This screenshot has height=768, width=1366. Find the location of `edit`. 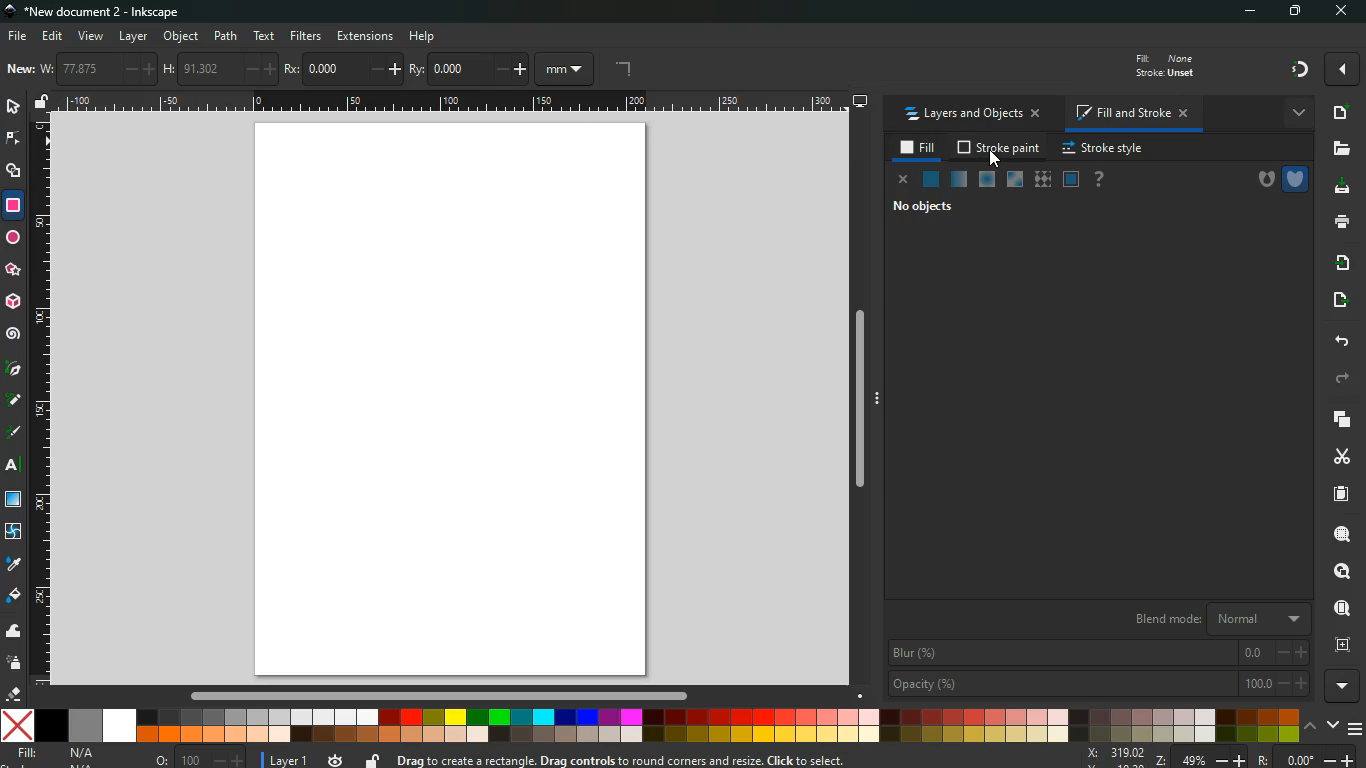

edit is located at coordinates (53, 36).